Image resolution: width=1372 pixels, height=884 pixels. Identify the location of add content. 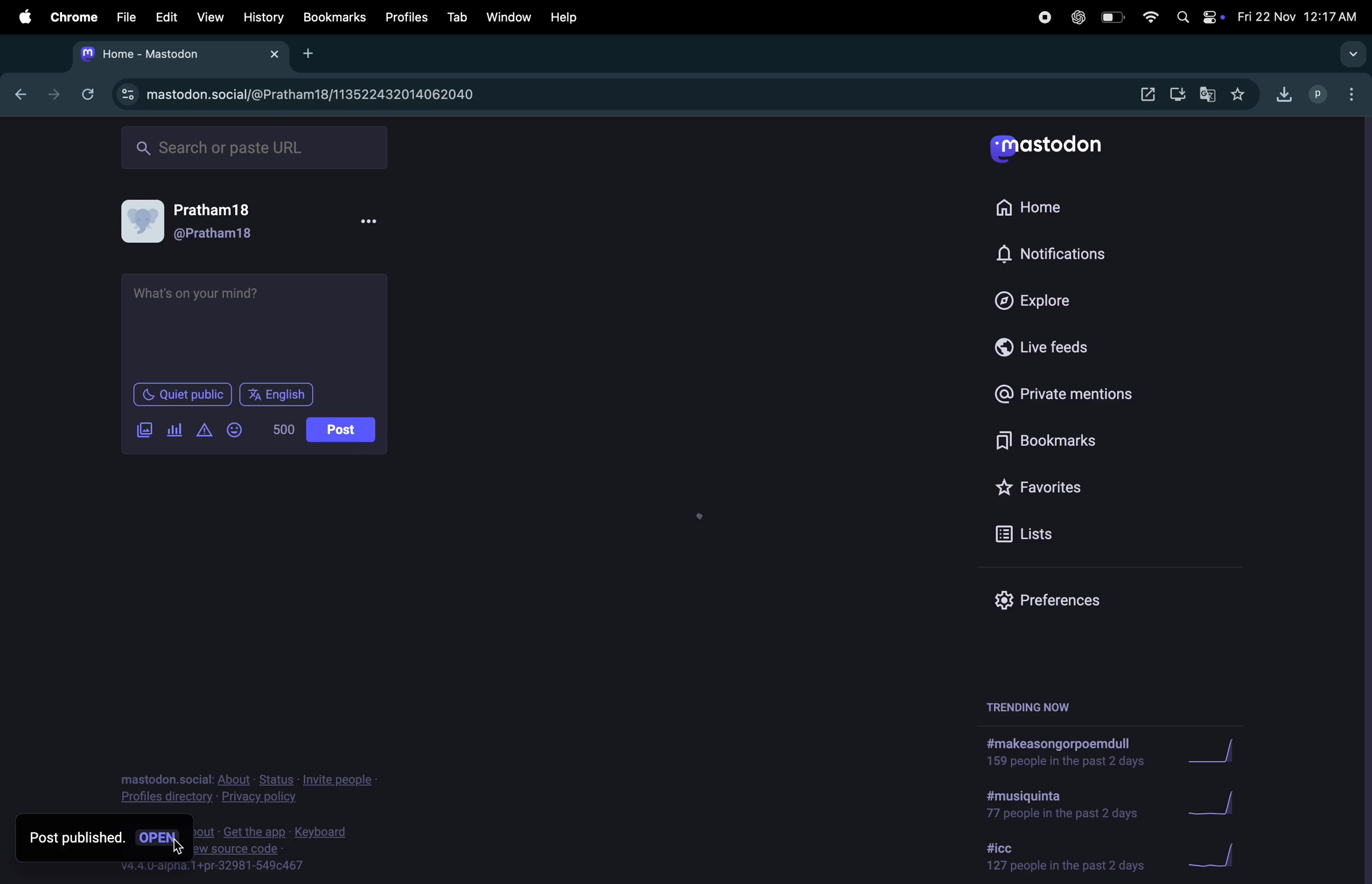
(200, 430).